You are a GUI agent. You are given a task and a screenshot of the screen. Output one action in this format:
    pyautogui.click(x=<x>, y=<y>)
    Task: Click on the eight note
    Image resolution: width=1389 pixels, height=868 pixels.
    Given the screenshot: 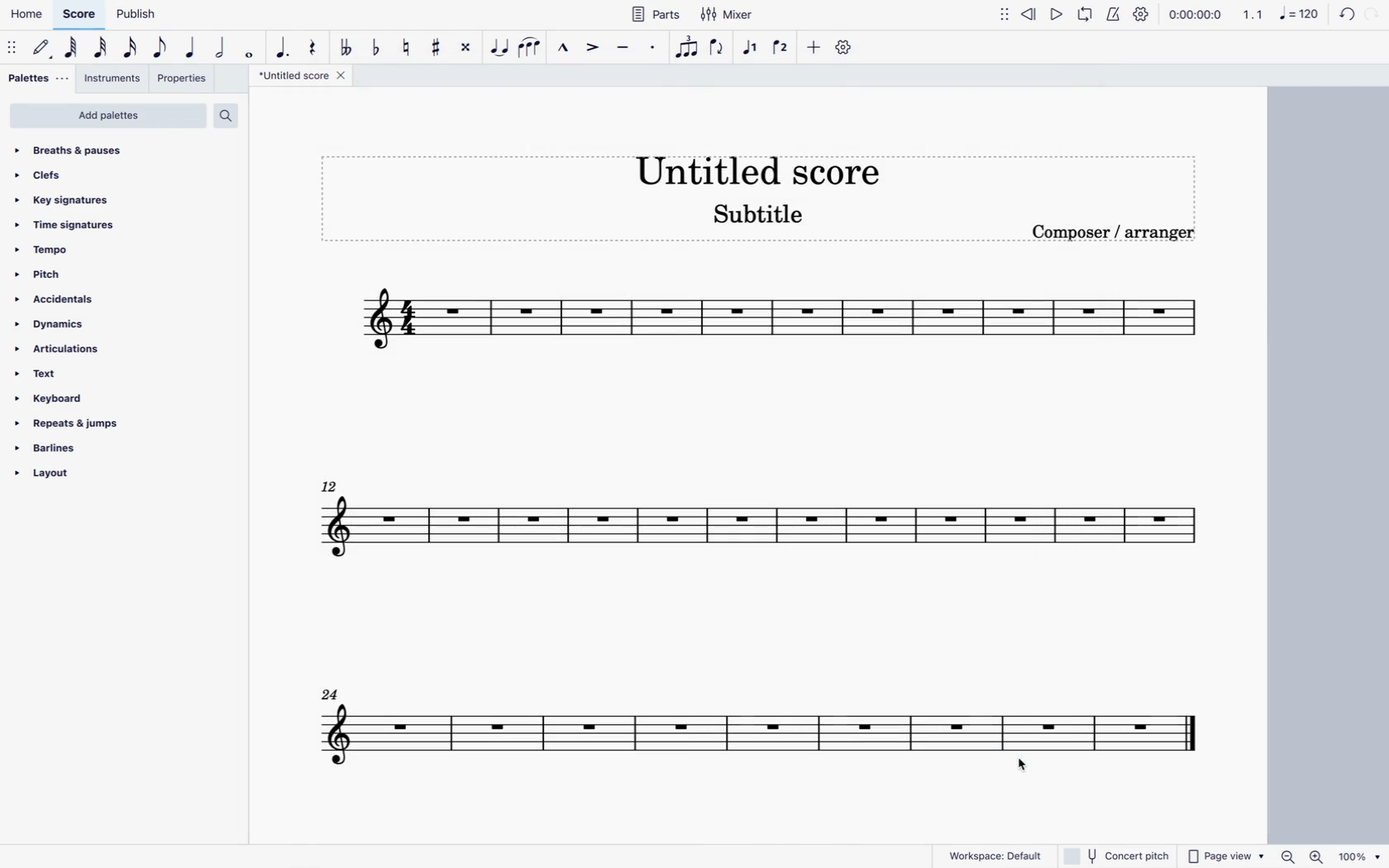 What is the action you would take?
    pyautogui.click(x=160, y=50)
    